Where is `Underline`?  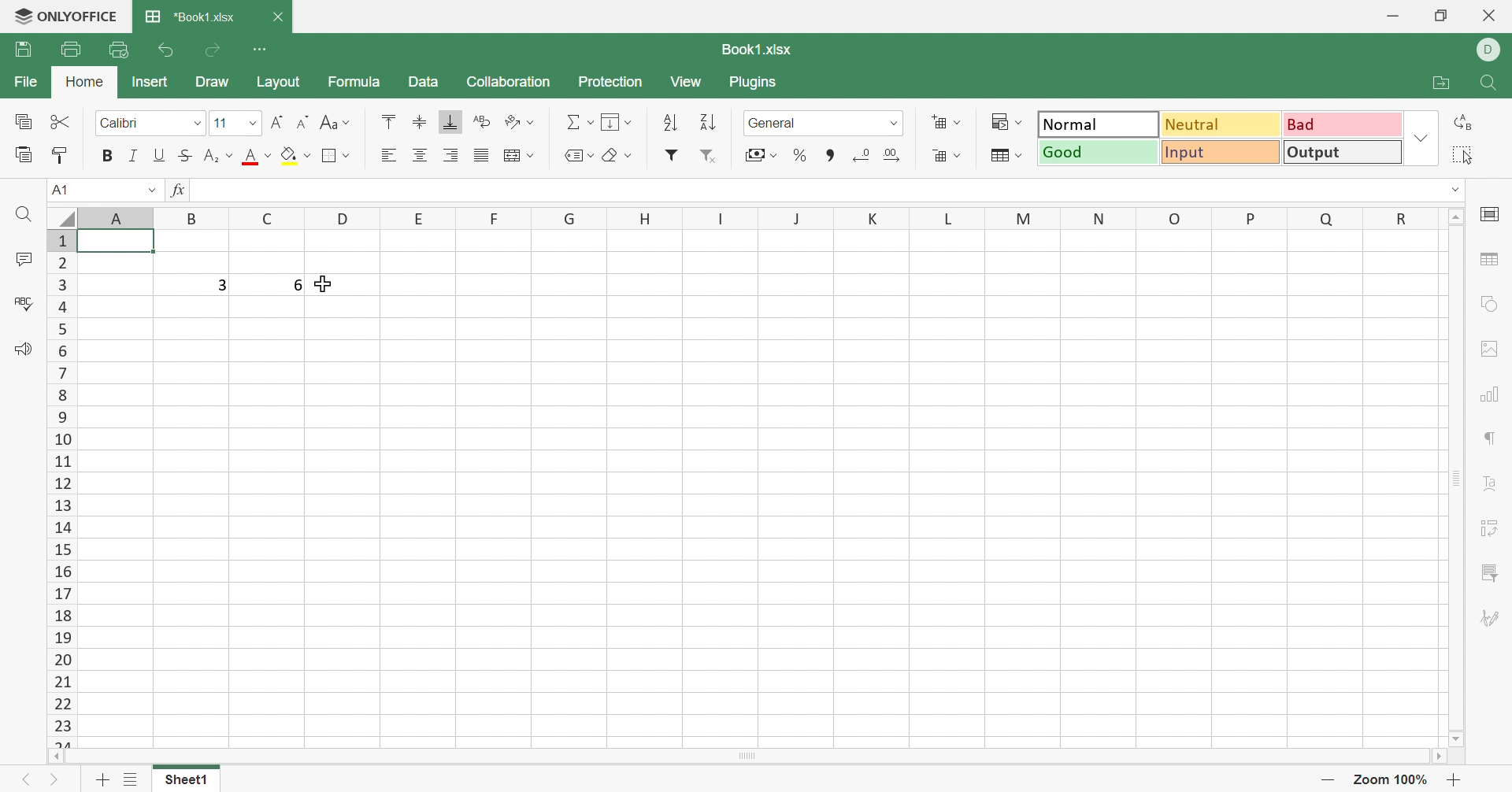
Underline is located at coordinates (160, 157).